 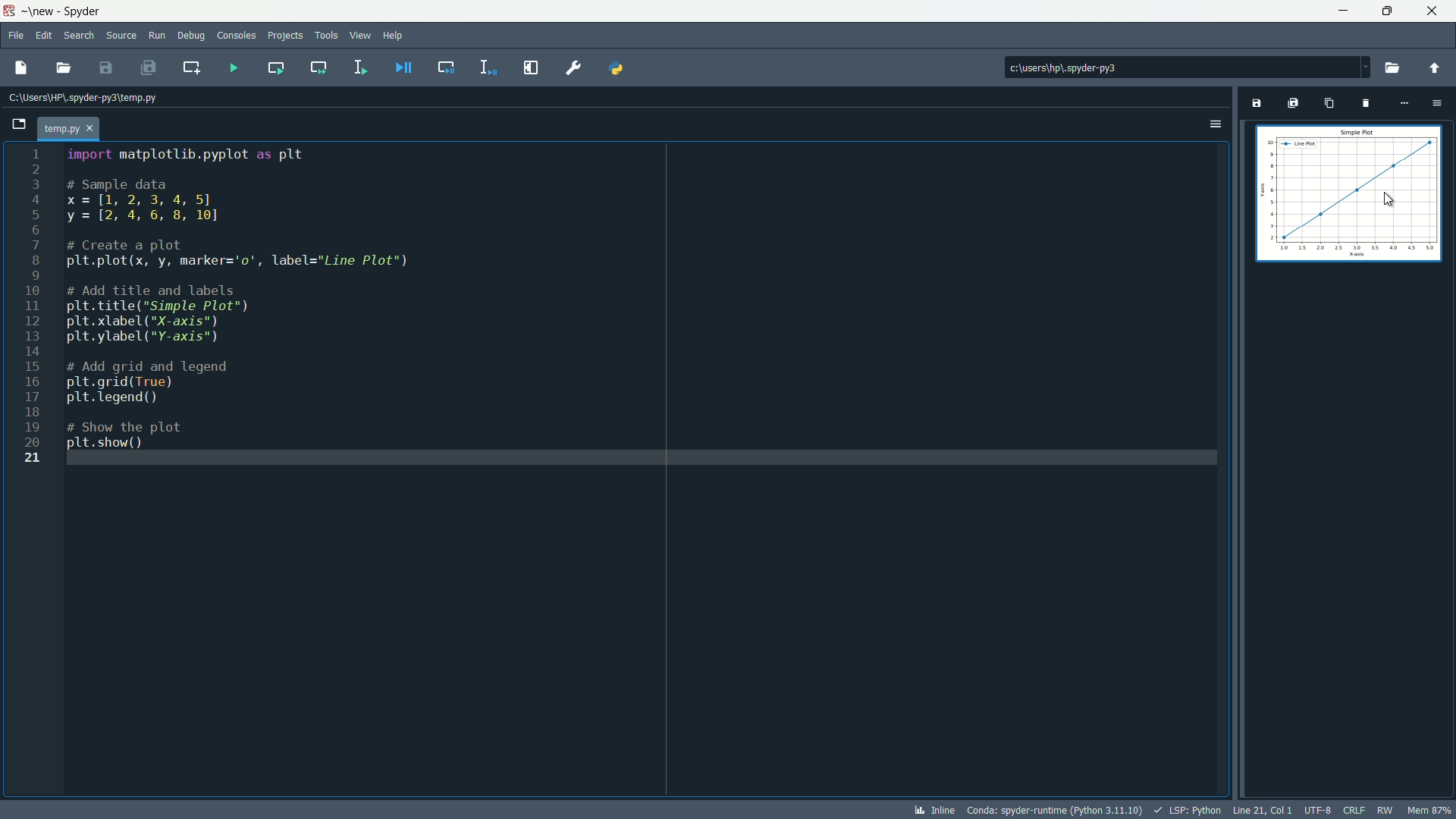 I want to click on run file, so click(x=231, y=67).